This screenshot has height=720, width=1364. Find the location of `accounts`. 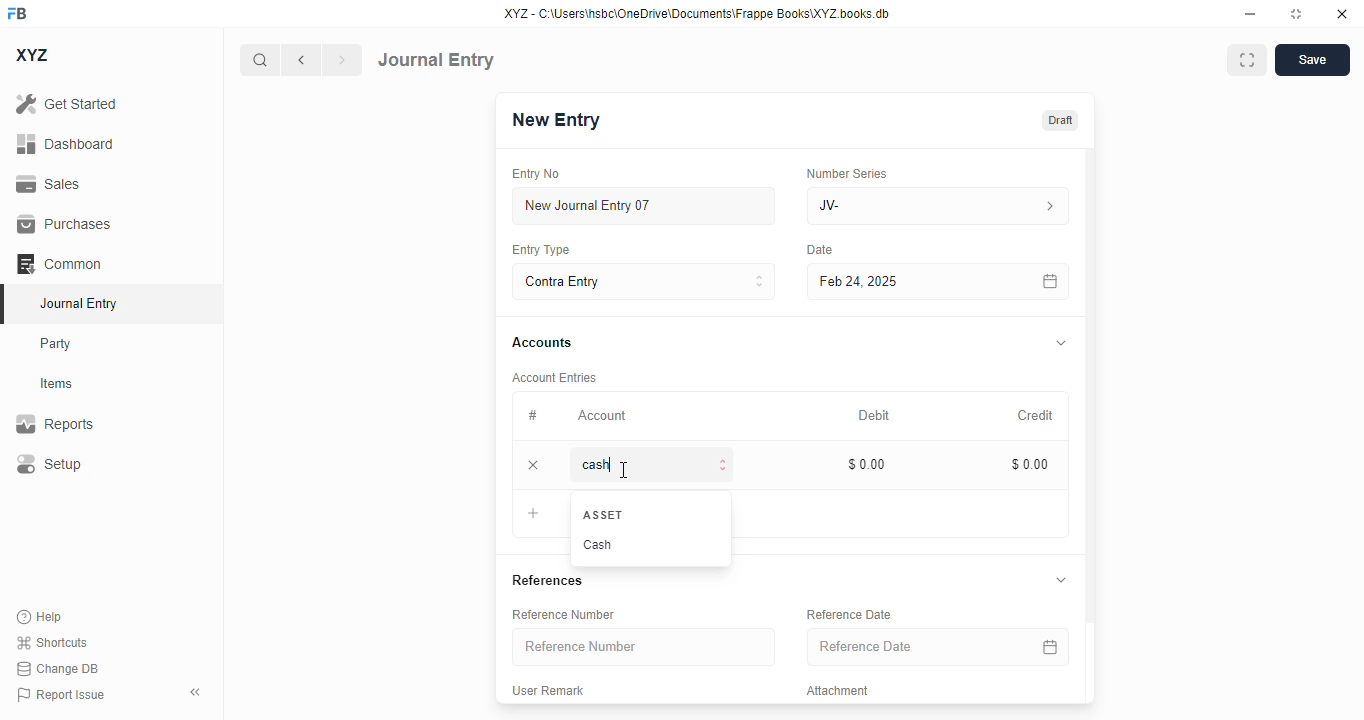

accounts is located at coordinates (542, 344).